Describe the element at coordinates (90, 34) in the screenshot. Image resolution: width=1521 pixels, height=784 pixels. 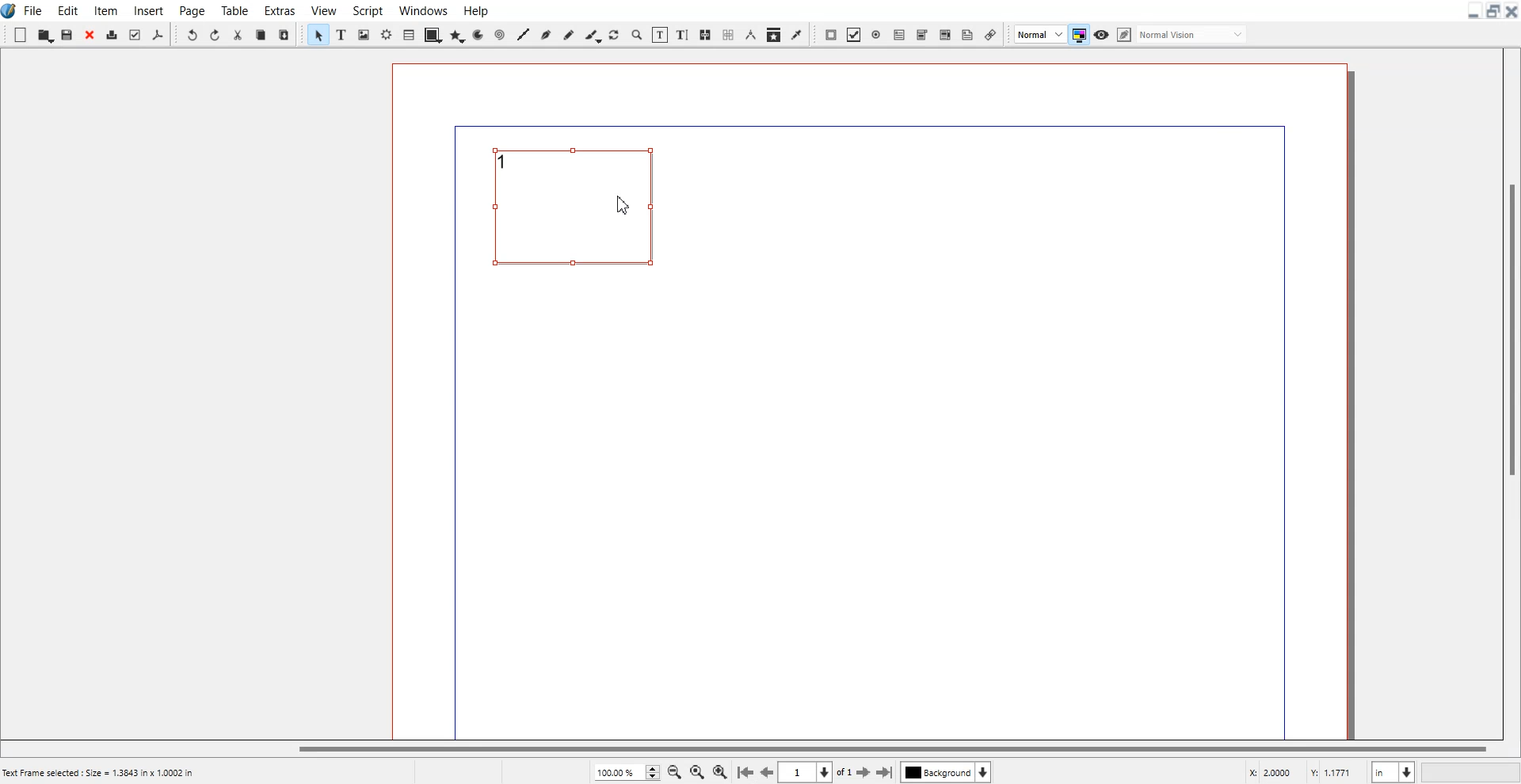
I see `Close` at that location.